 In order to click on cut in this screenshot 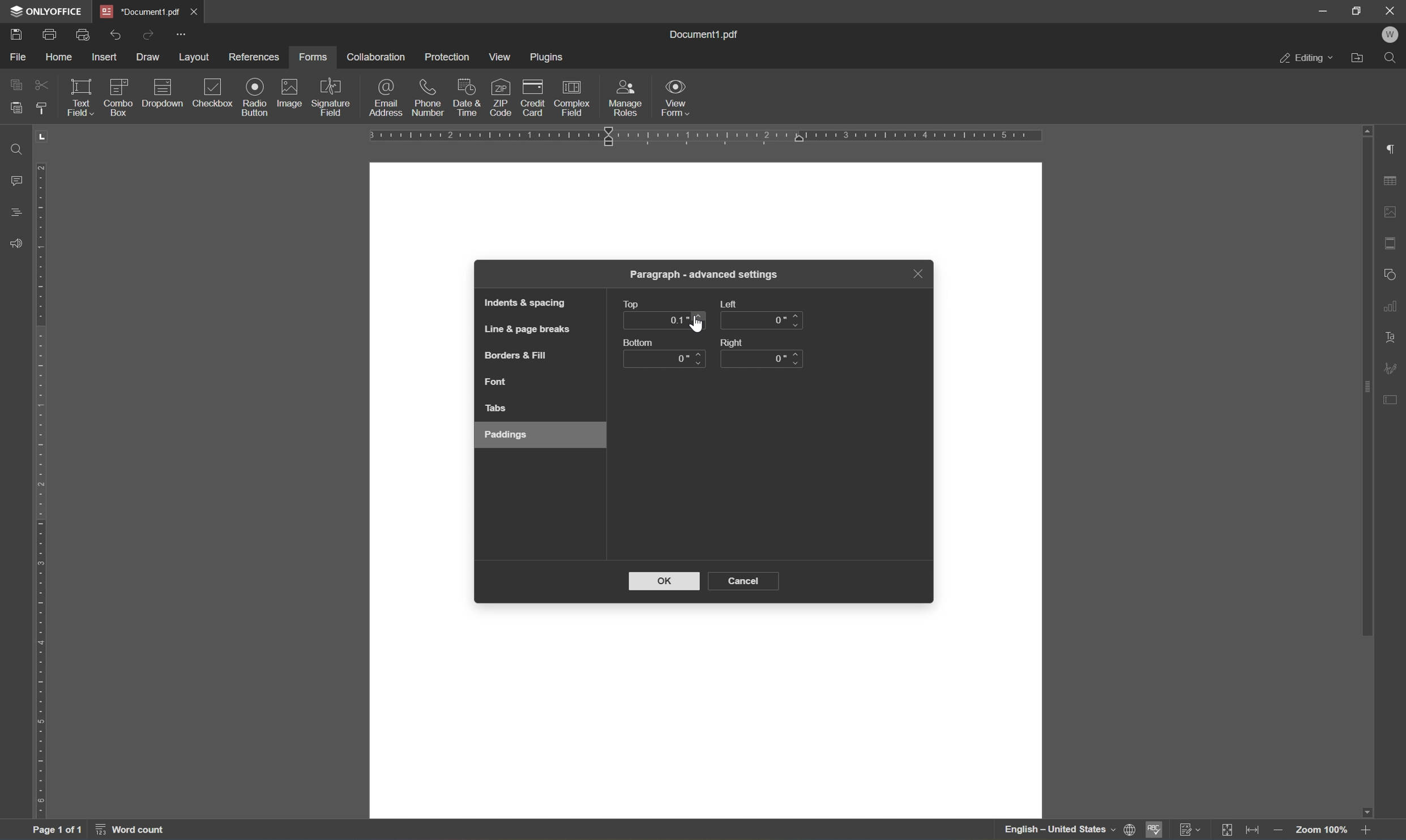, I will do `click(41, 84)`.